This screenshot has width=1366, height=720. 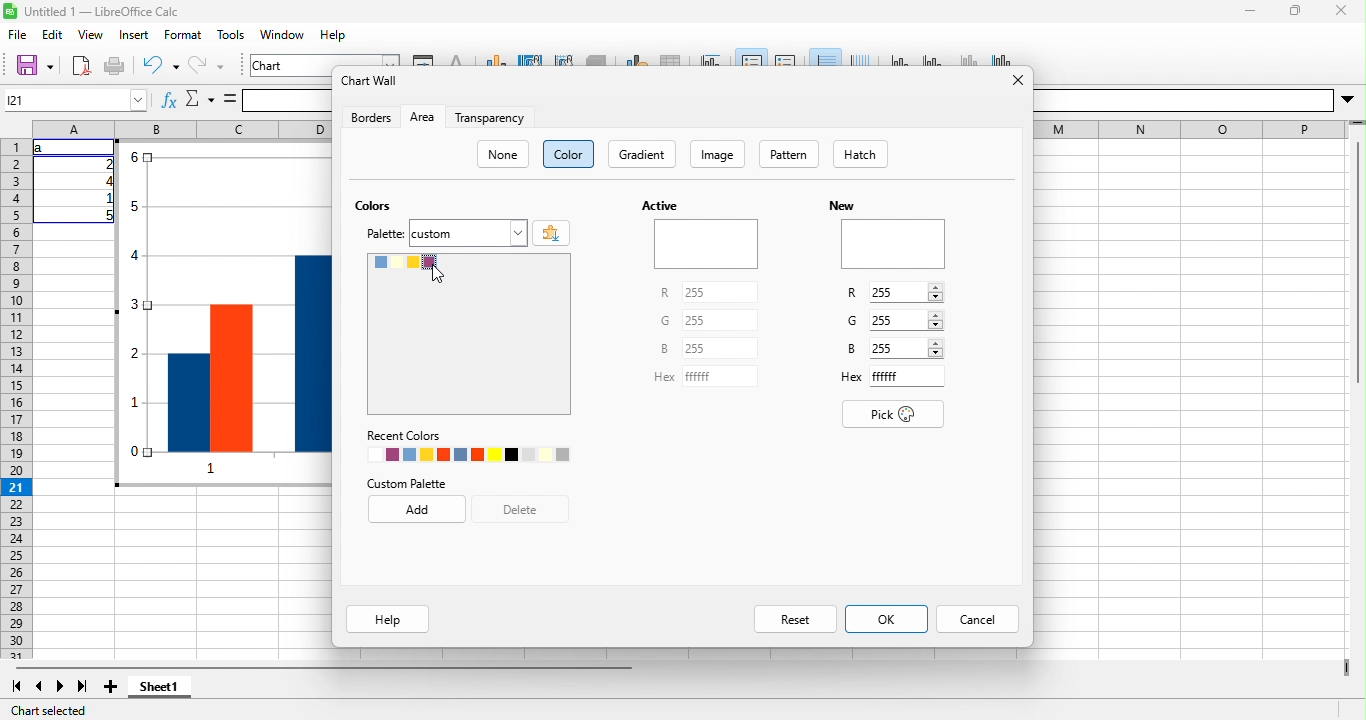 I want to click on insert, so click(x=135, y=34).